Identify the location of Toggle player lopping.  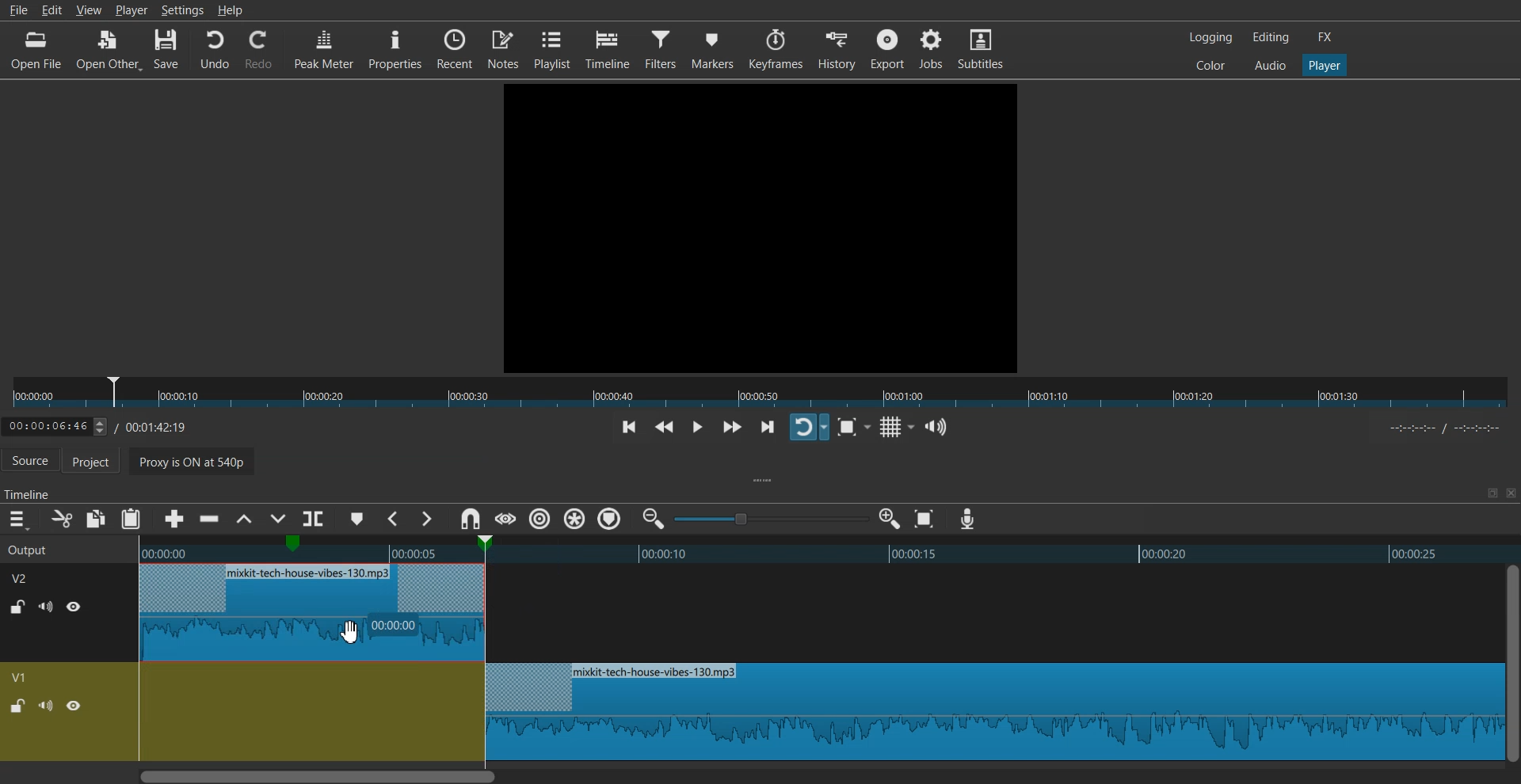
(809, 427).